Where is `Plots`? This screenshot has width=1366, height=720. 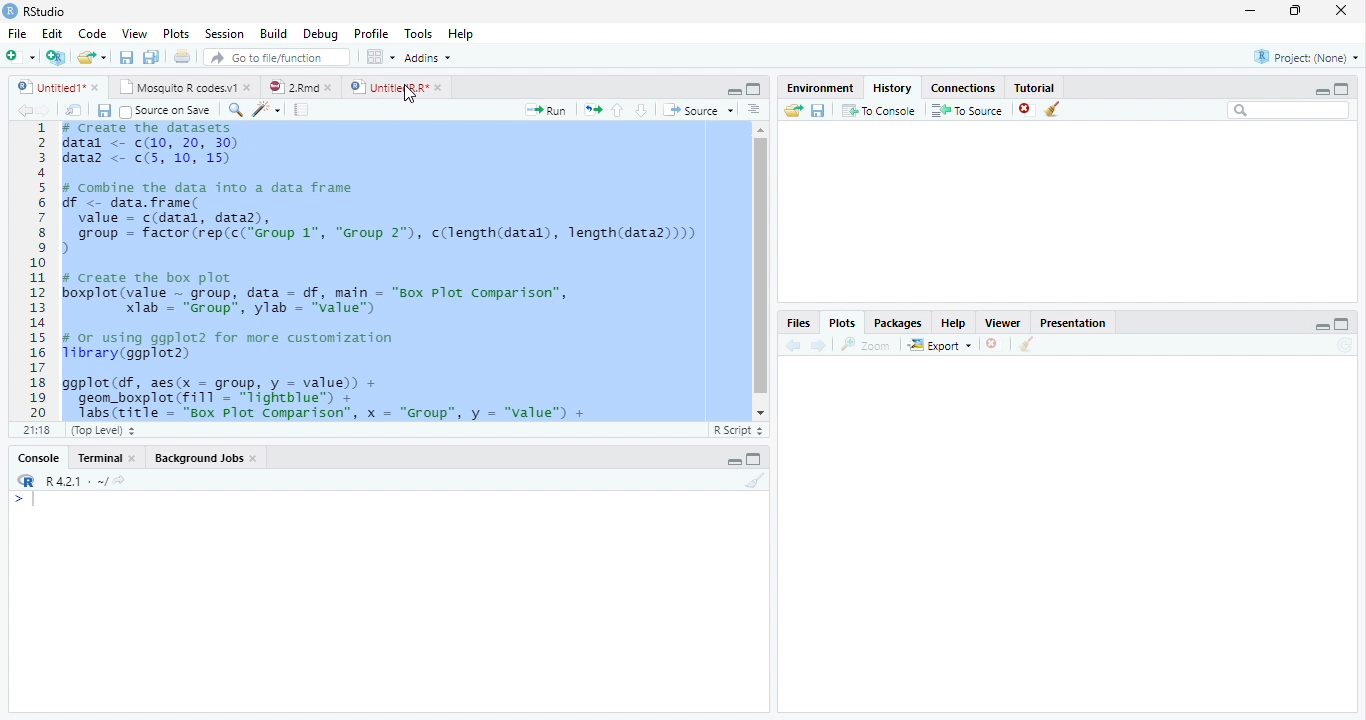
Plots is located at coordinates (174, 33).